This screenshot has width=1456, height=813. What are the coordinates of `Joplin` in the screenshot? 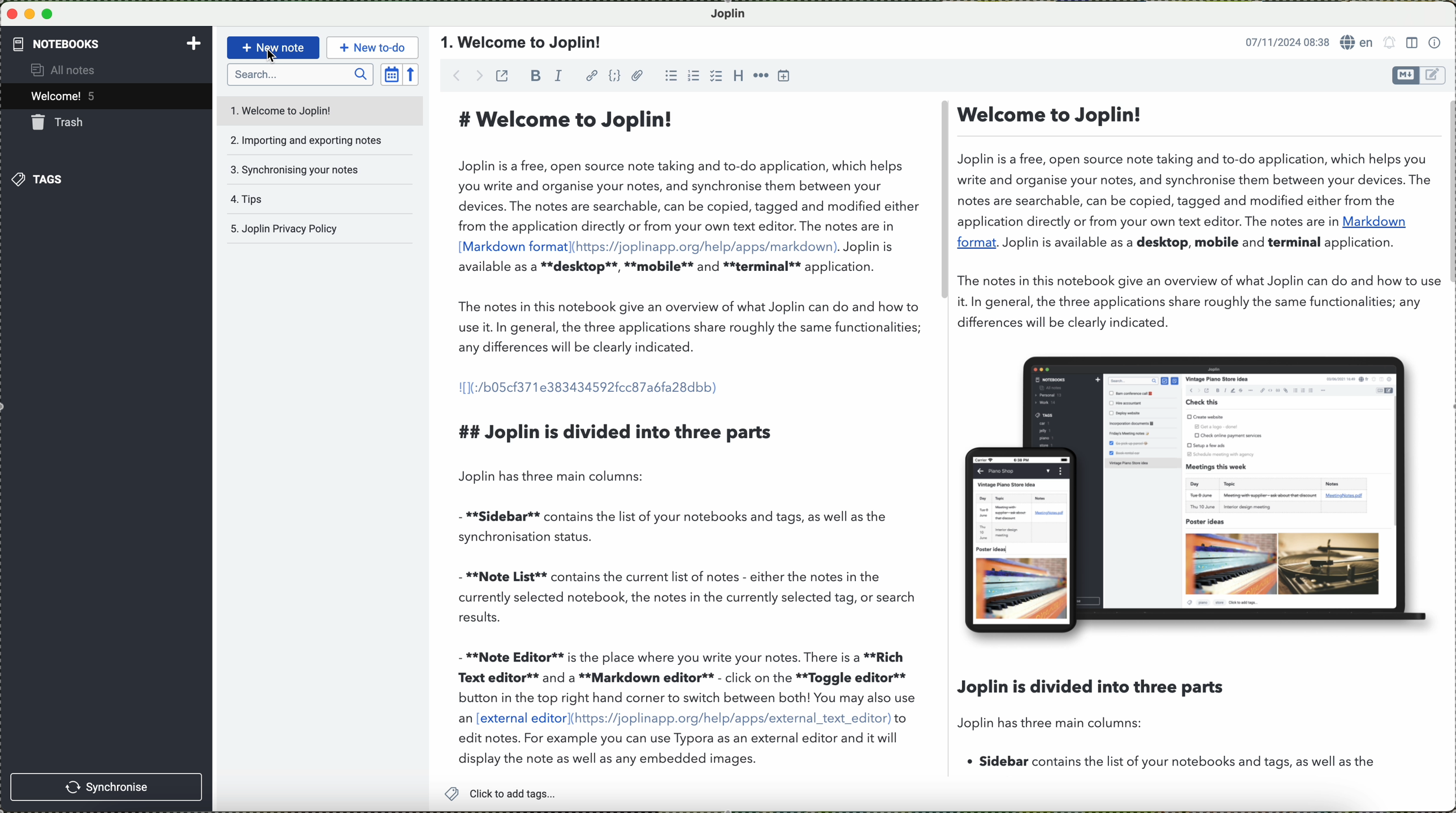 It's located at (734, 13).